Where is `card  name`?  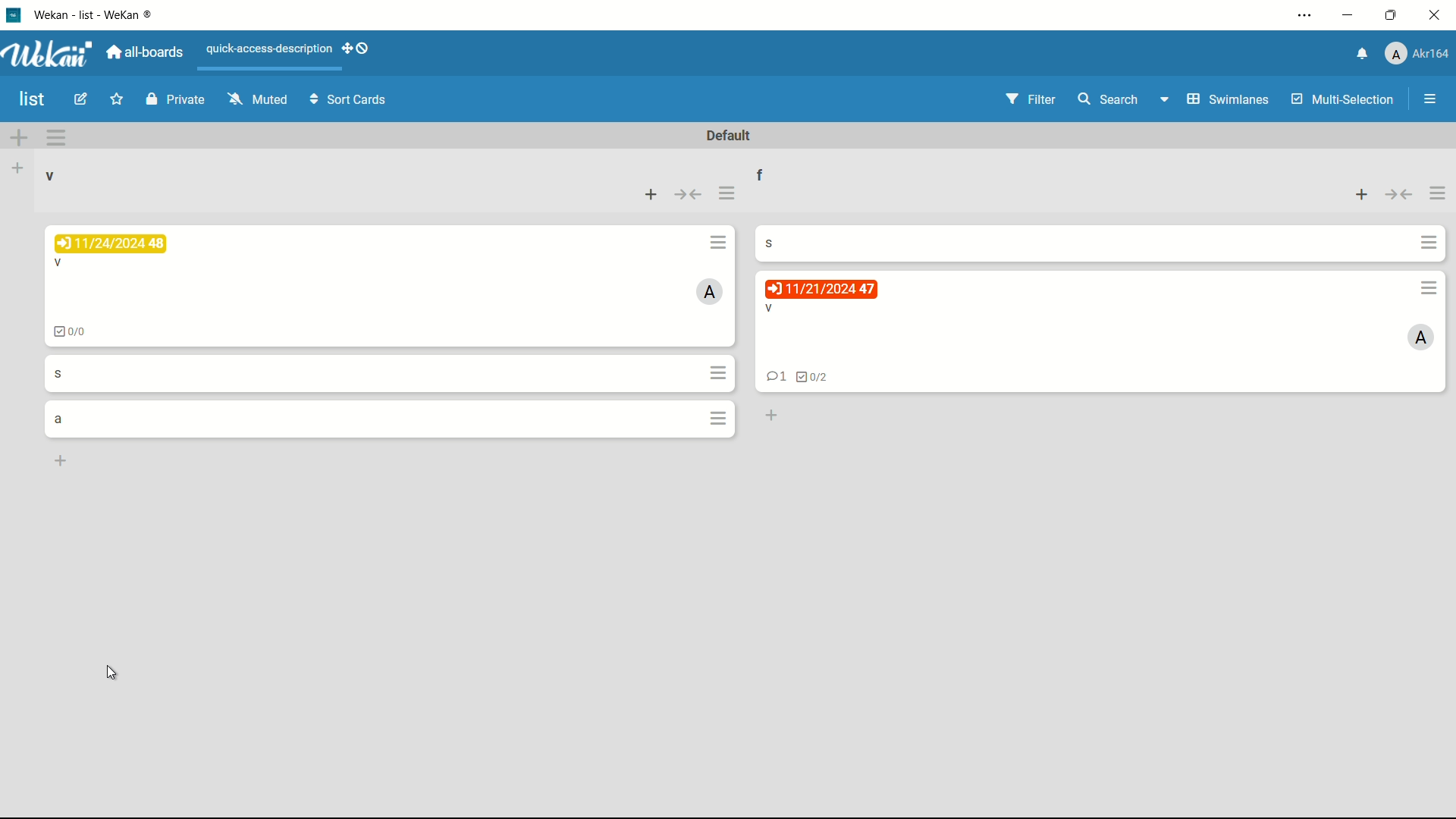
card  name is located at coordinates (768, 309).